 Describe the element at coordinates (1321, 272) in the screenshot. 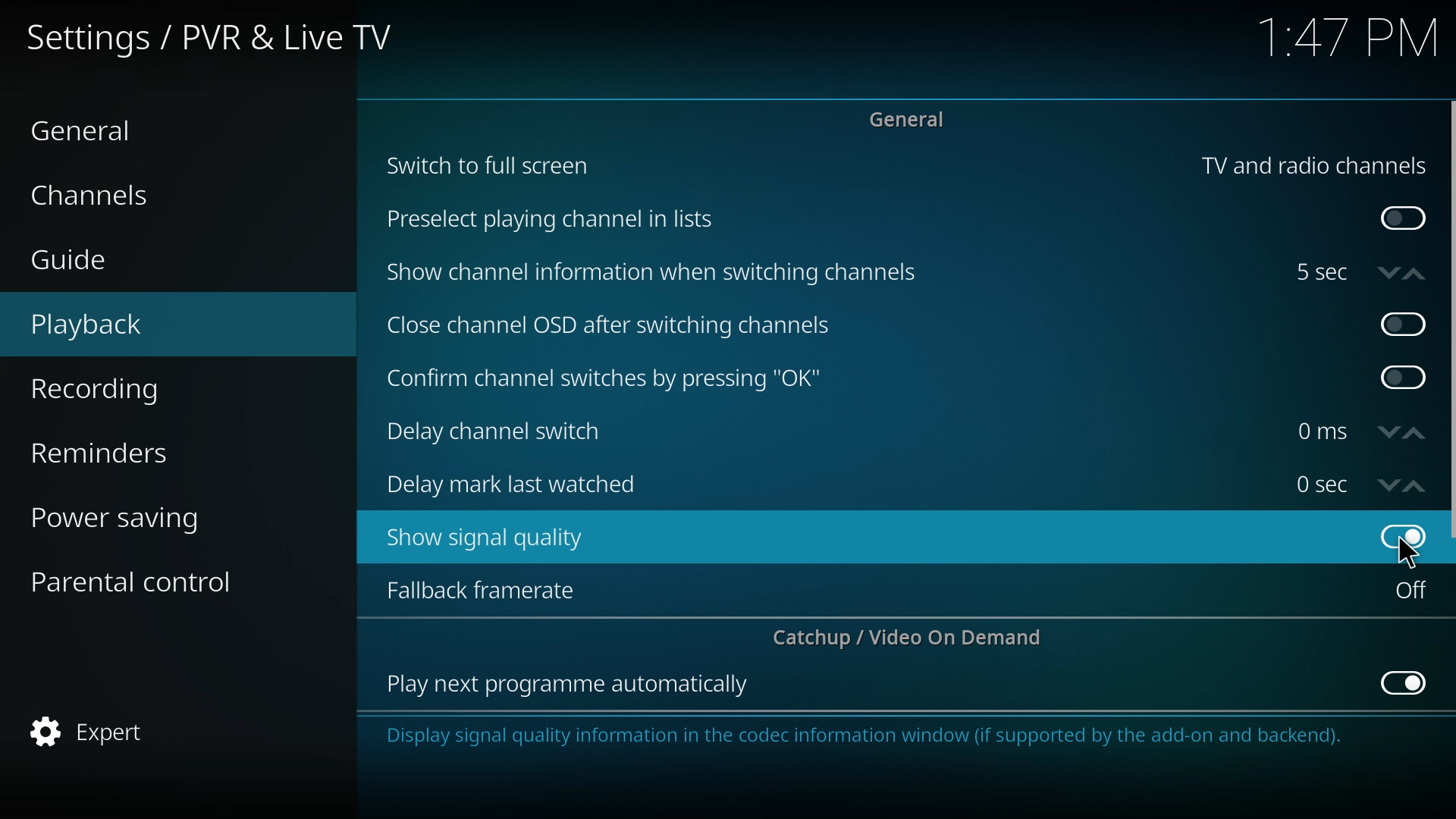

I see `time` at that location.